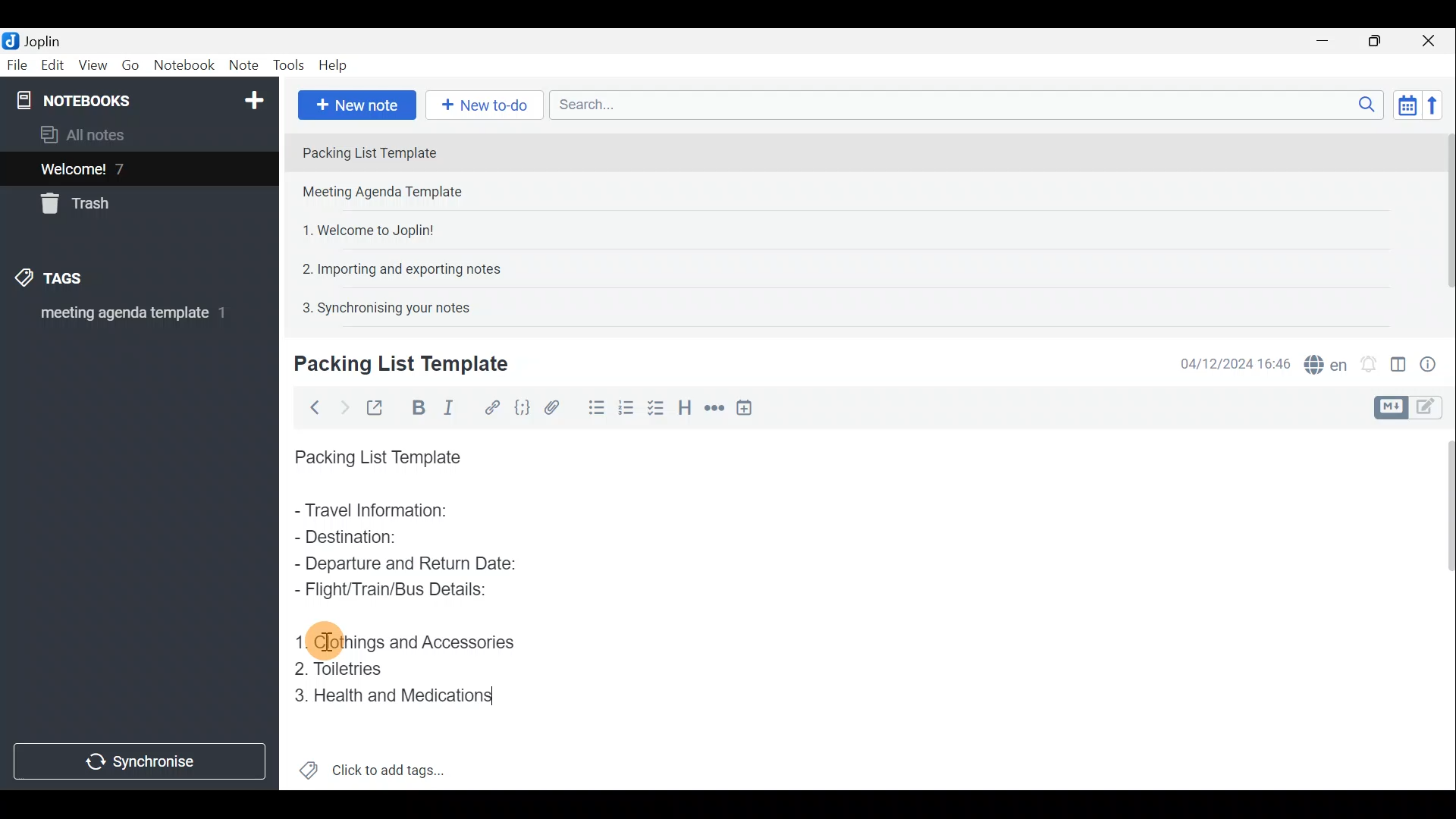  Describe the element at coordinates (130, 318) in the screenshot. I see `meeting agenda template` at that location.